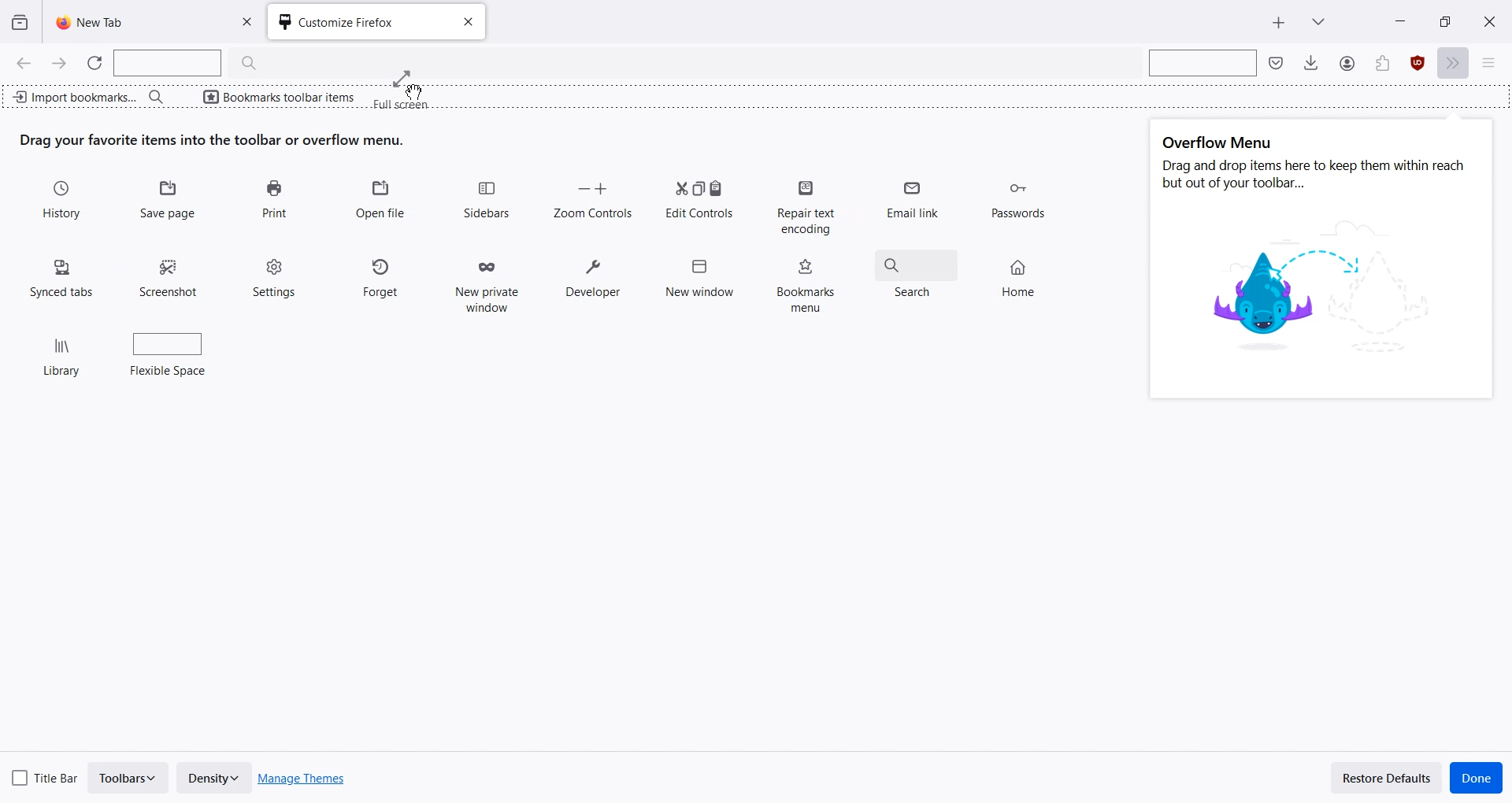  What do you see at coordinates (64, 201) in the screenshot?
I see `History` at bounding box center [64, 201].